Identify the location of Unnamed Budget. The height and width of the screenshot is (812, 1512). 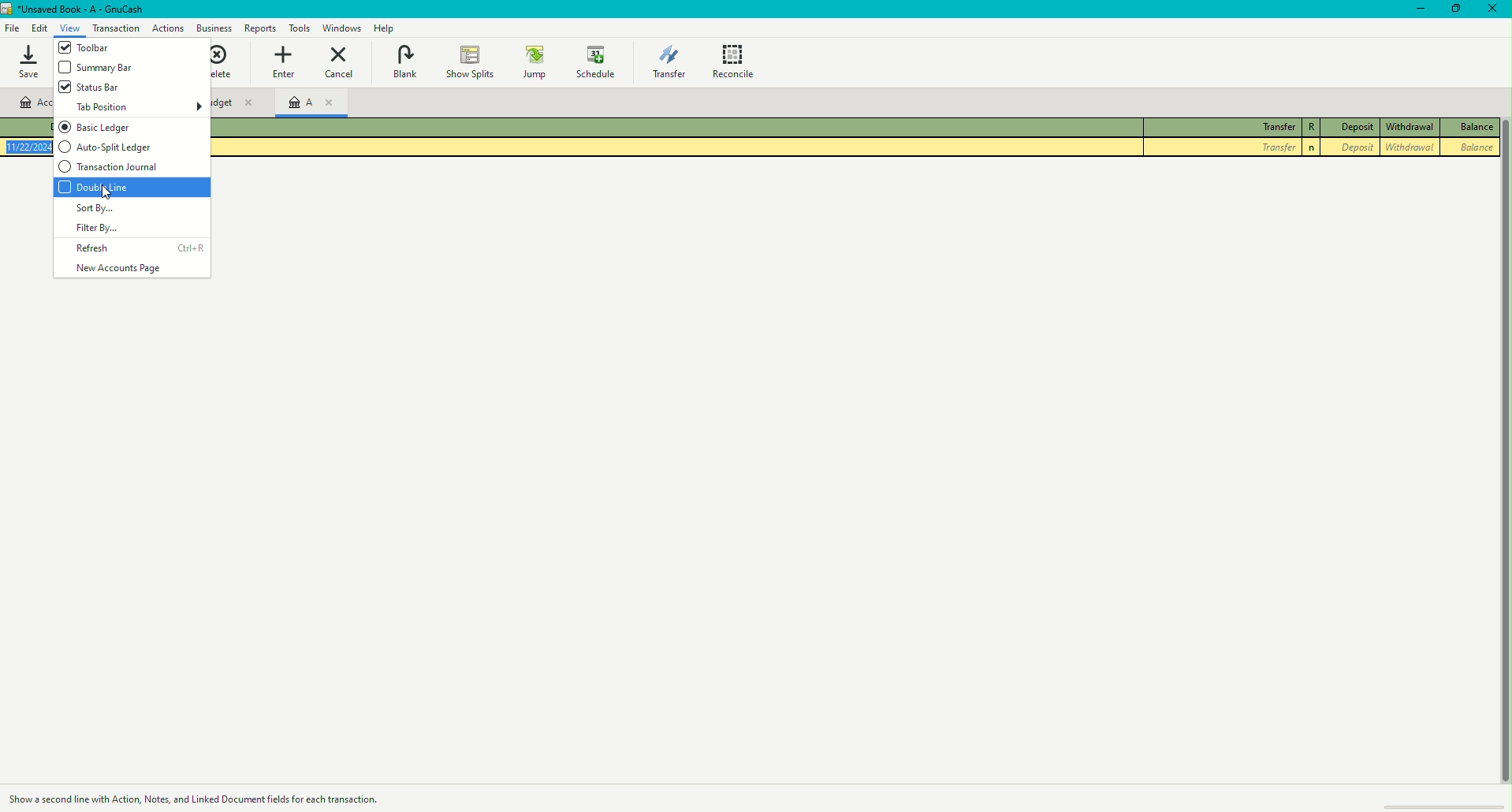
(236, 102).